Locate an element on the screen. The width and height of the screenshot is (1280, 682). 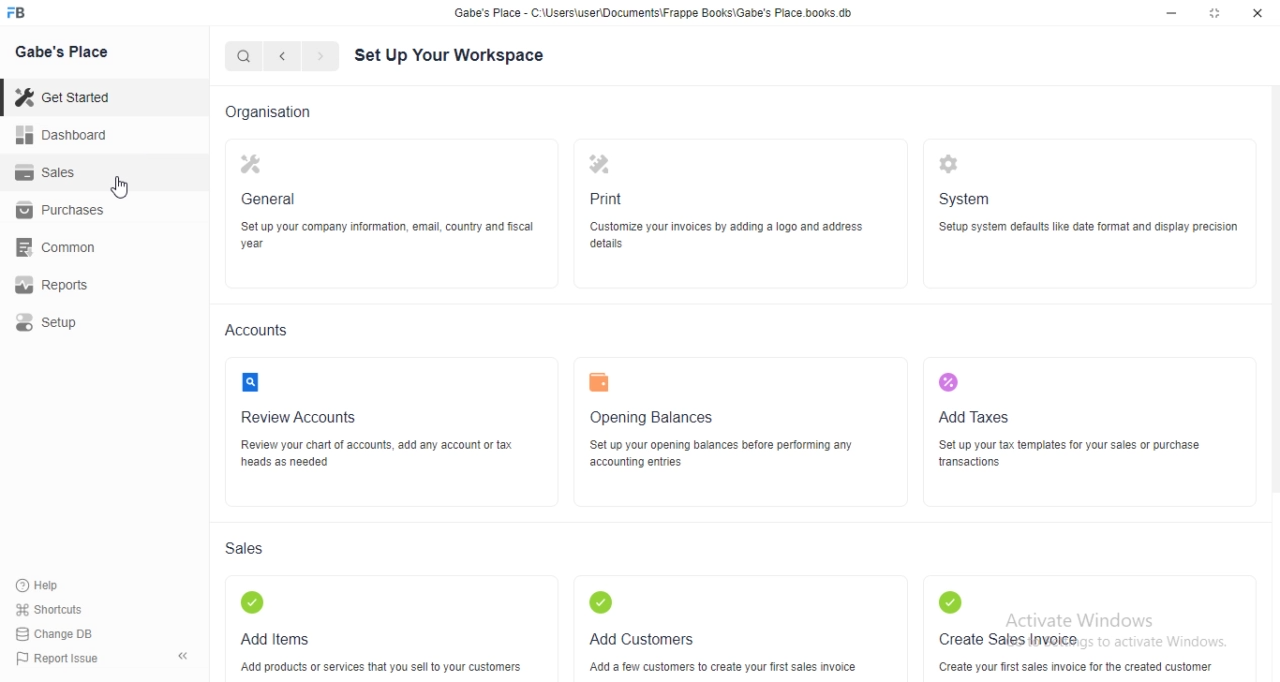
TU SE RS py ———
accounting entries is located at coordinates (723, 459).